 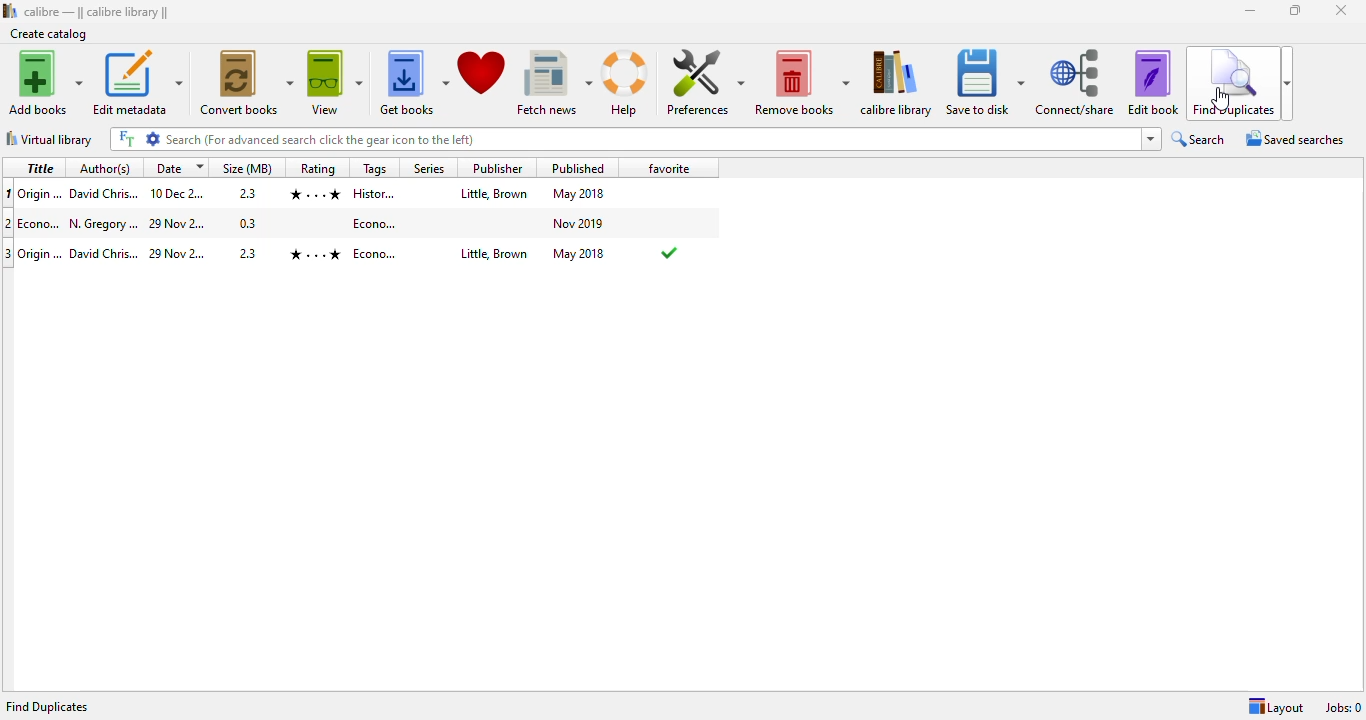 I want to click on help, so click(x=624, y=83).